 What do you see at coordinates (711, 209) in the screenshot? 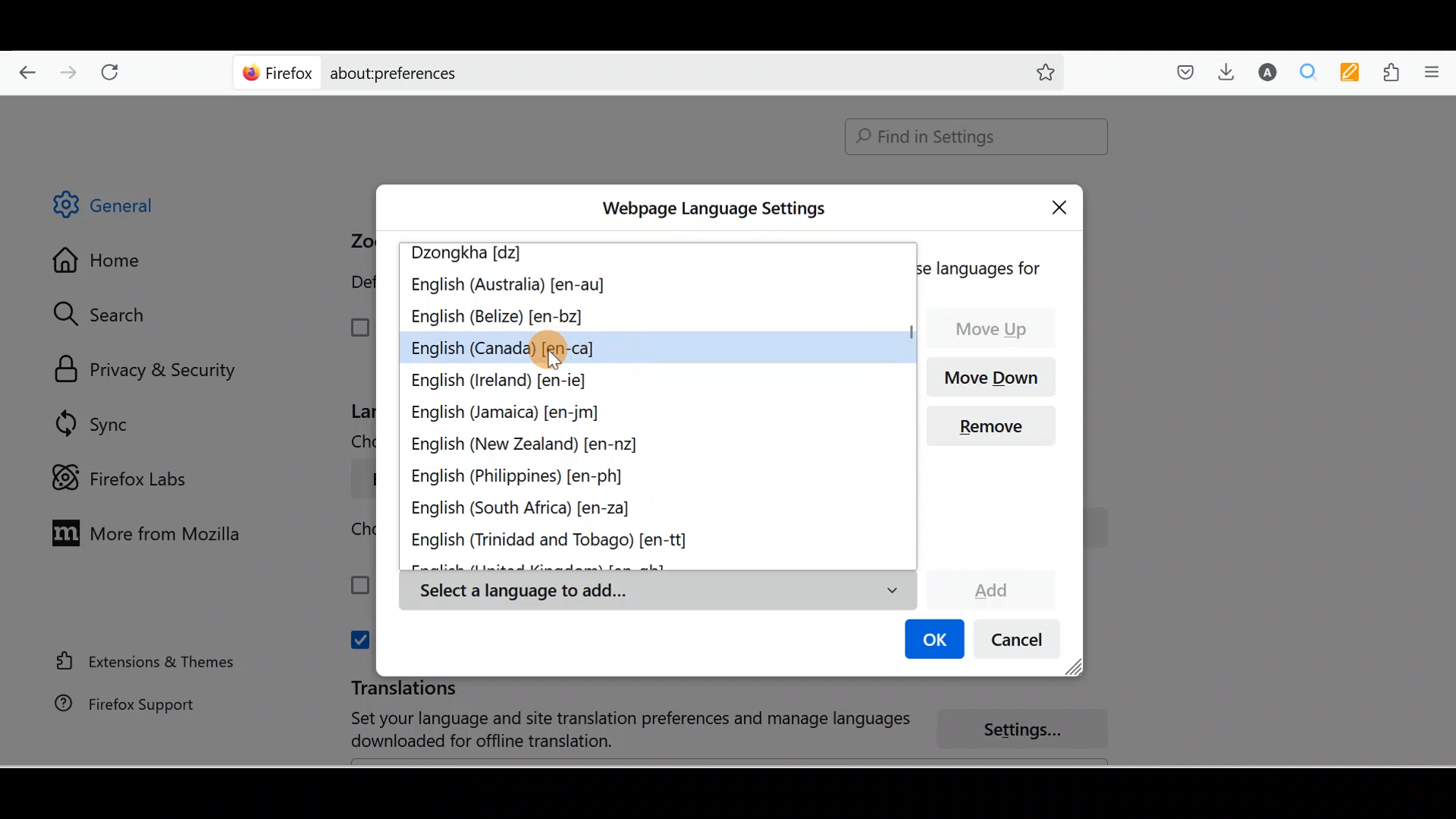
I see `Webpage Language settings` at bounding box center [711, 209].